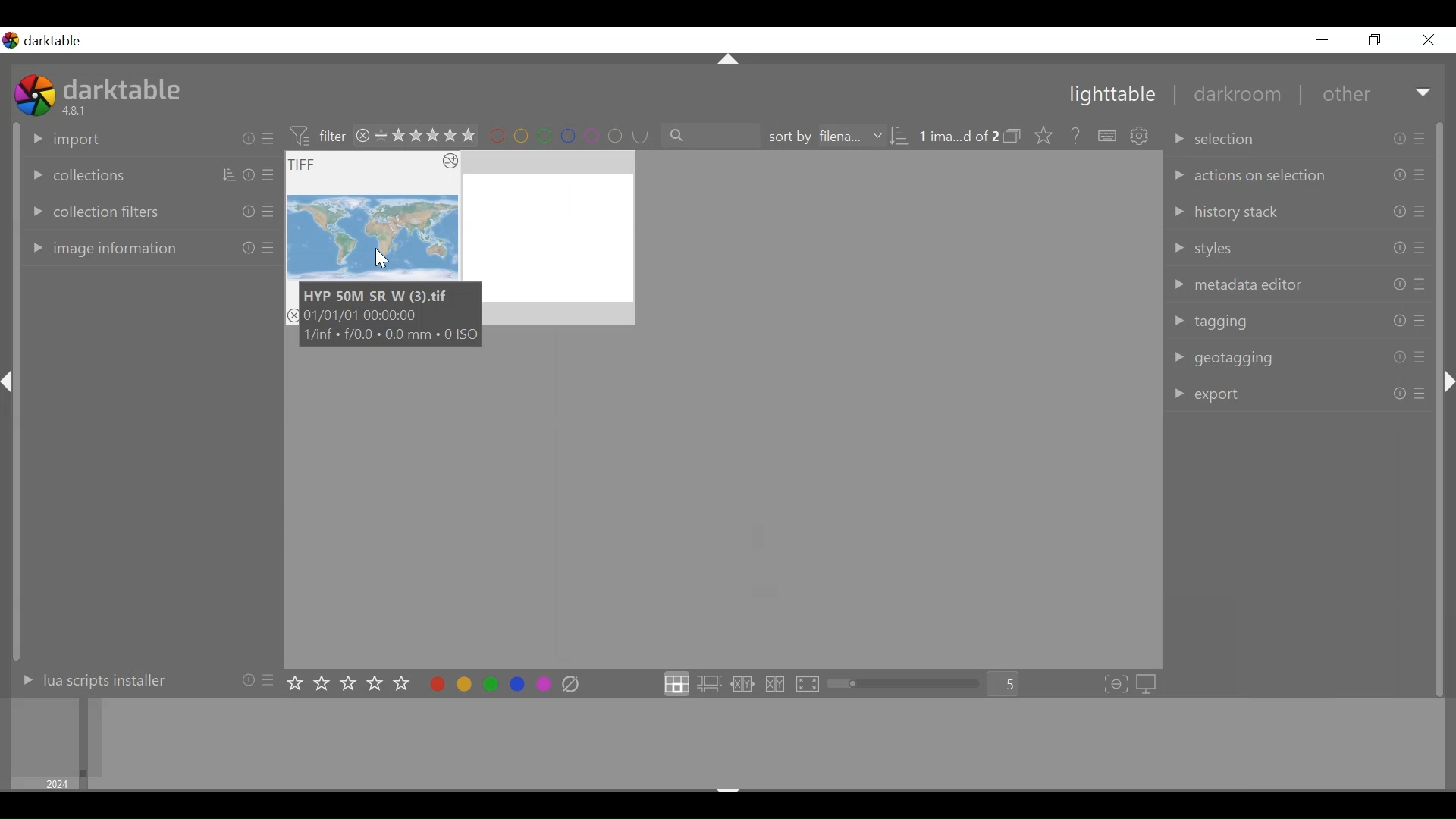 Image resolution: width=1456 pixels, height=819 pixels. Describe the element at coordinates (907, 684) in the screenshot. I see `zoom slider` at that location.